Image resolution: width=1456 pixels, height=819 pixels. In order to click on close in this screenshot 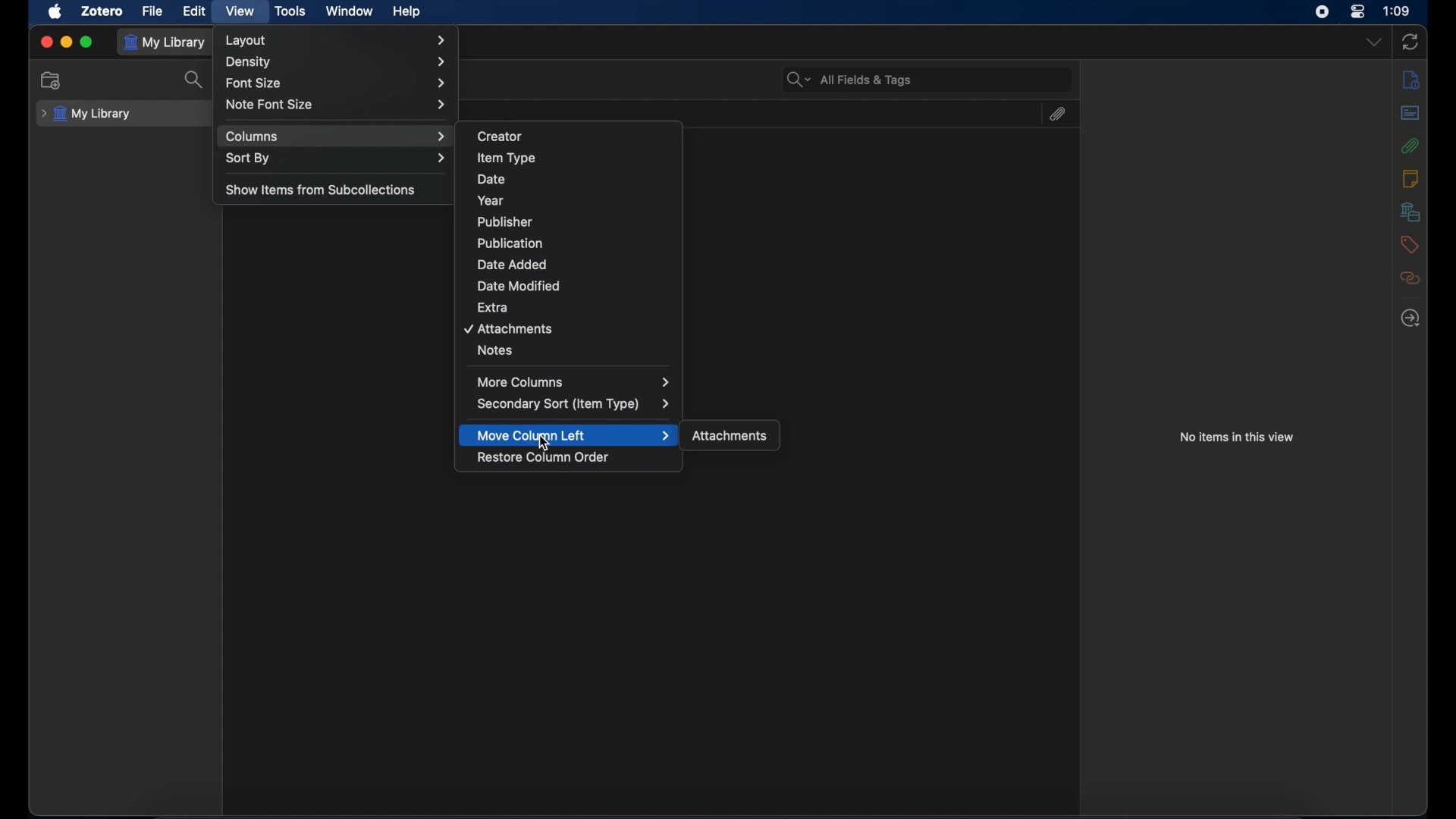, I will do `click(46, 41)`.